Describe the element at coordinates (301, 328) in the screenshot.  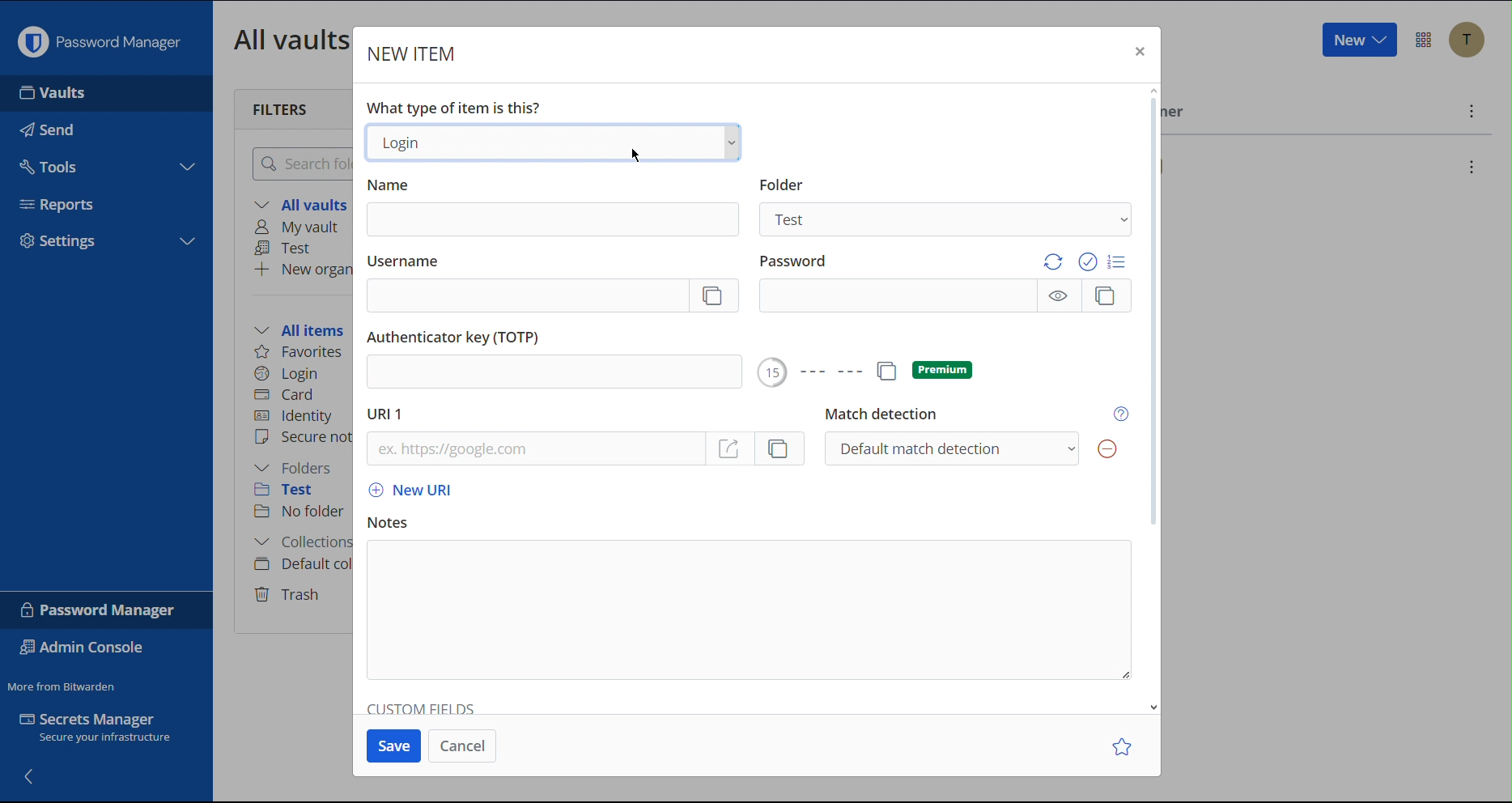
I see `All items` at that location.